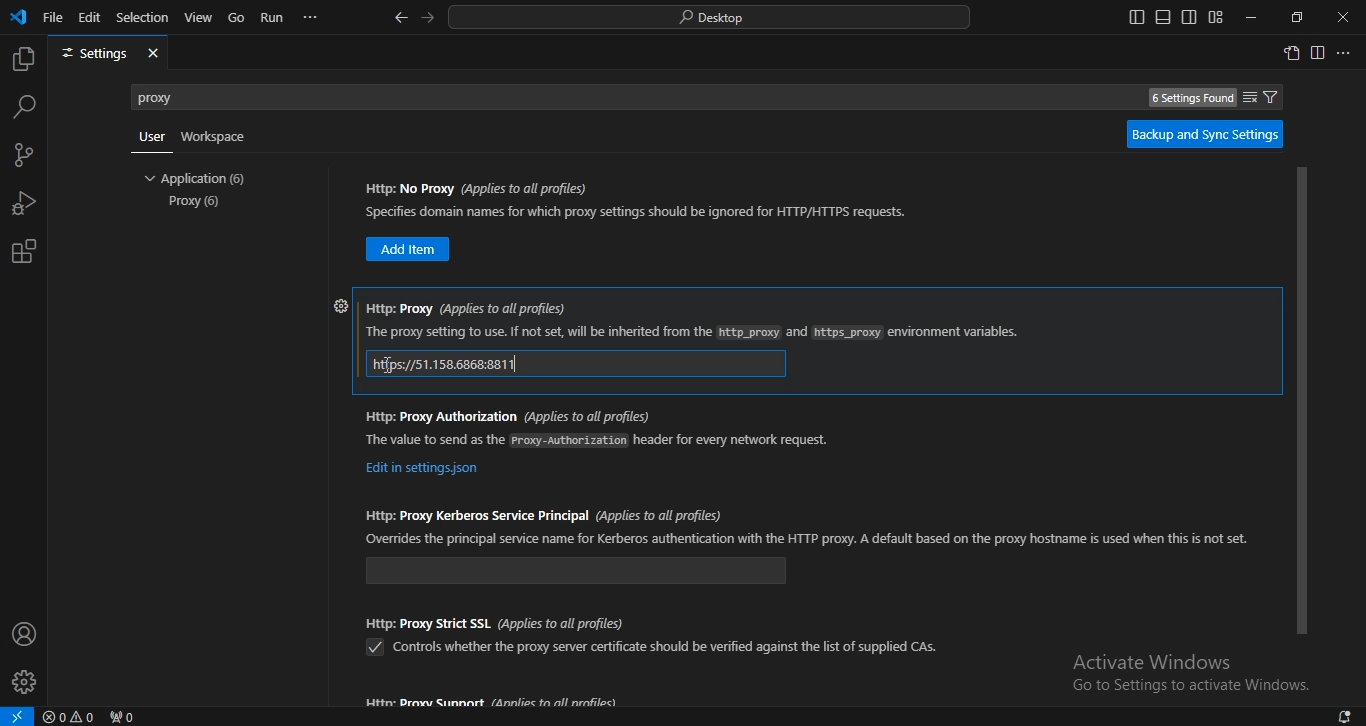 The height and width of the screenshot is (726, 1366). I want to click on text, so click(1154, 661).